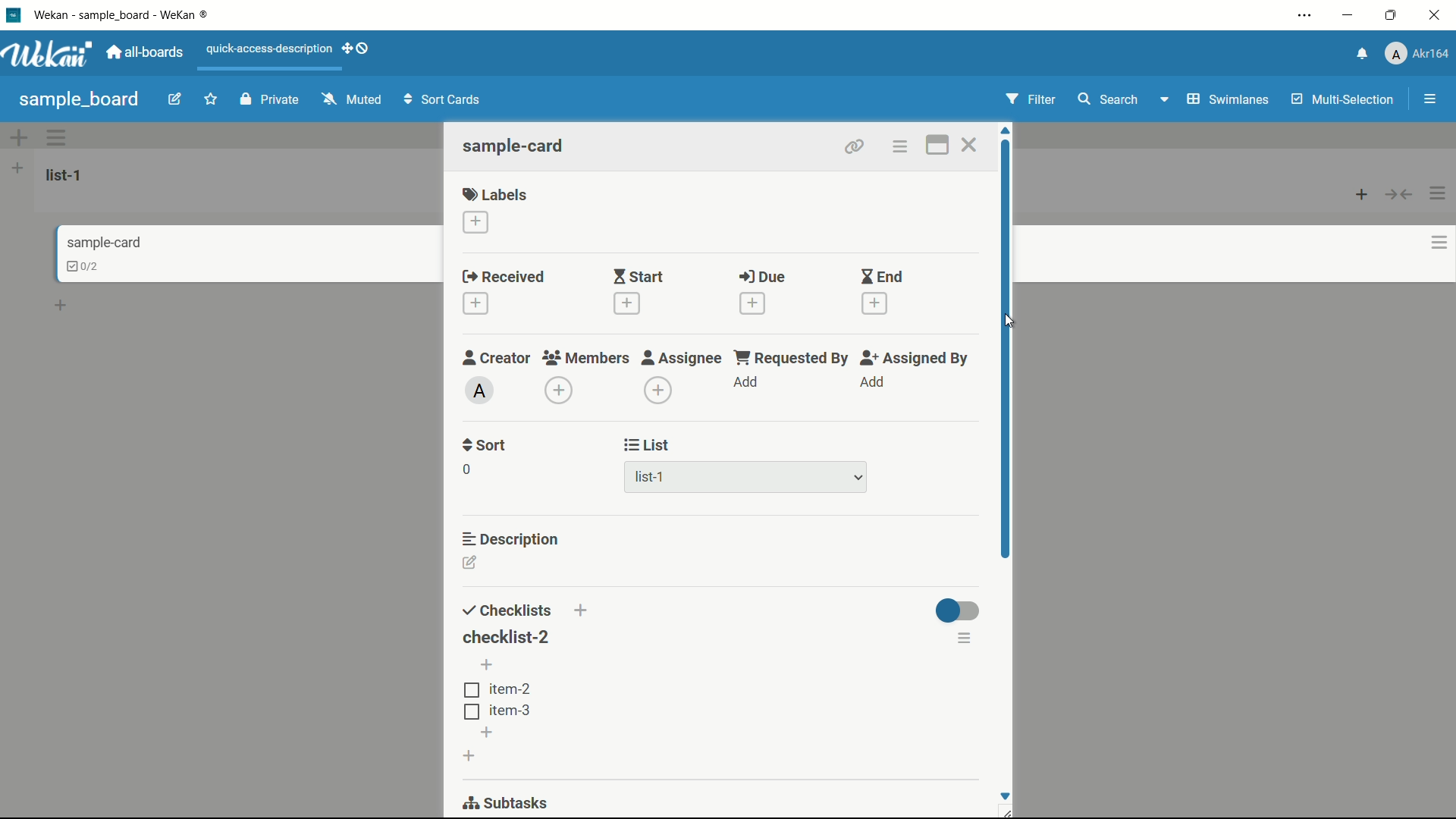 This screenshot has height=819, width=1456. What do you see at coordinates (470, 564) in the screenshot?
I see `add description` at bounding box center [470, 564].